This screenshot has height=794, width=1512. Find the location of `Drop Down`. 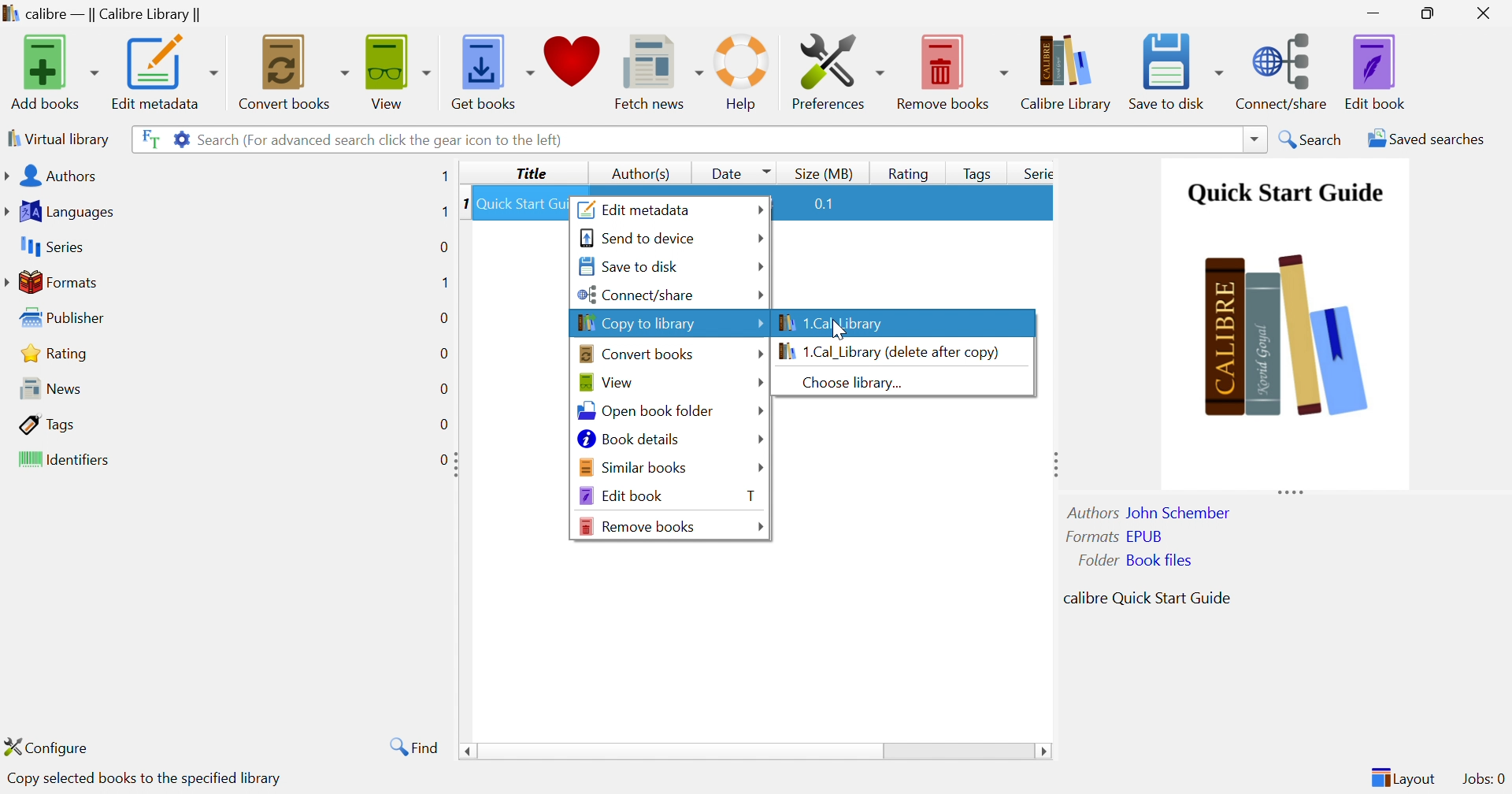

Drop Down is located at coordinates (759, 210).